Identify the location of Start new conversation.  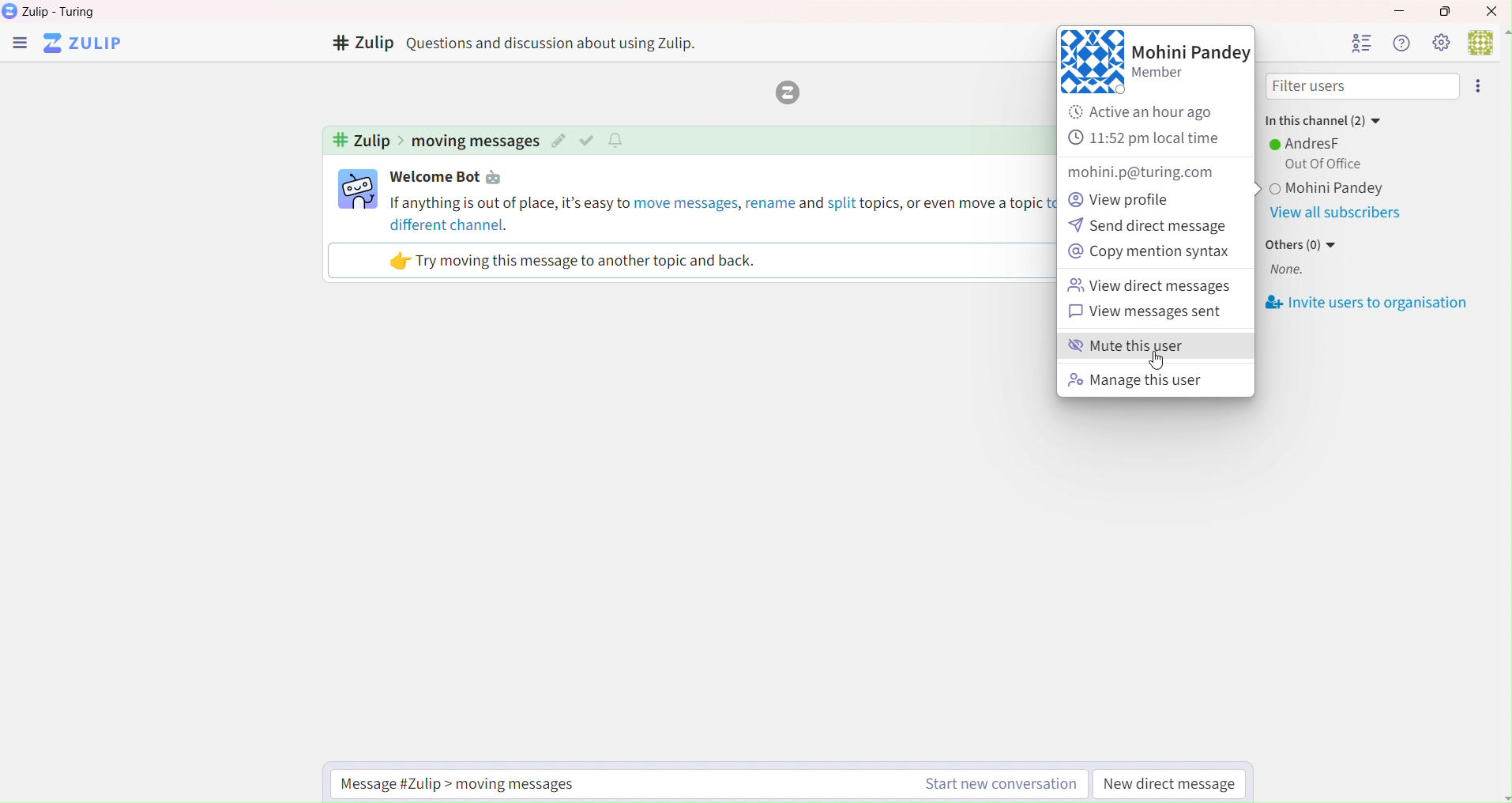
(997, 786).